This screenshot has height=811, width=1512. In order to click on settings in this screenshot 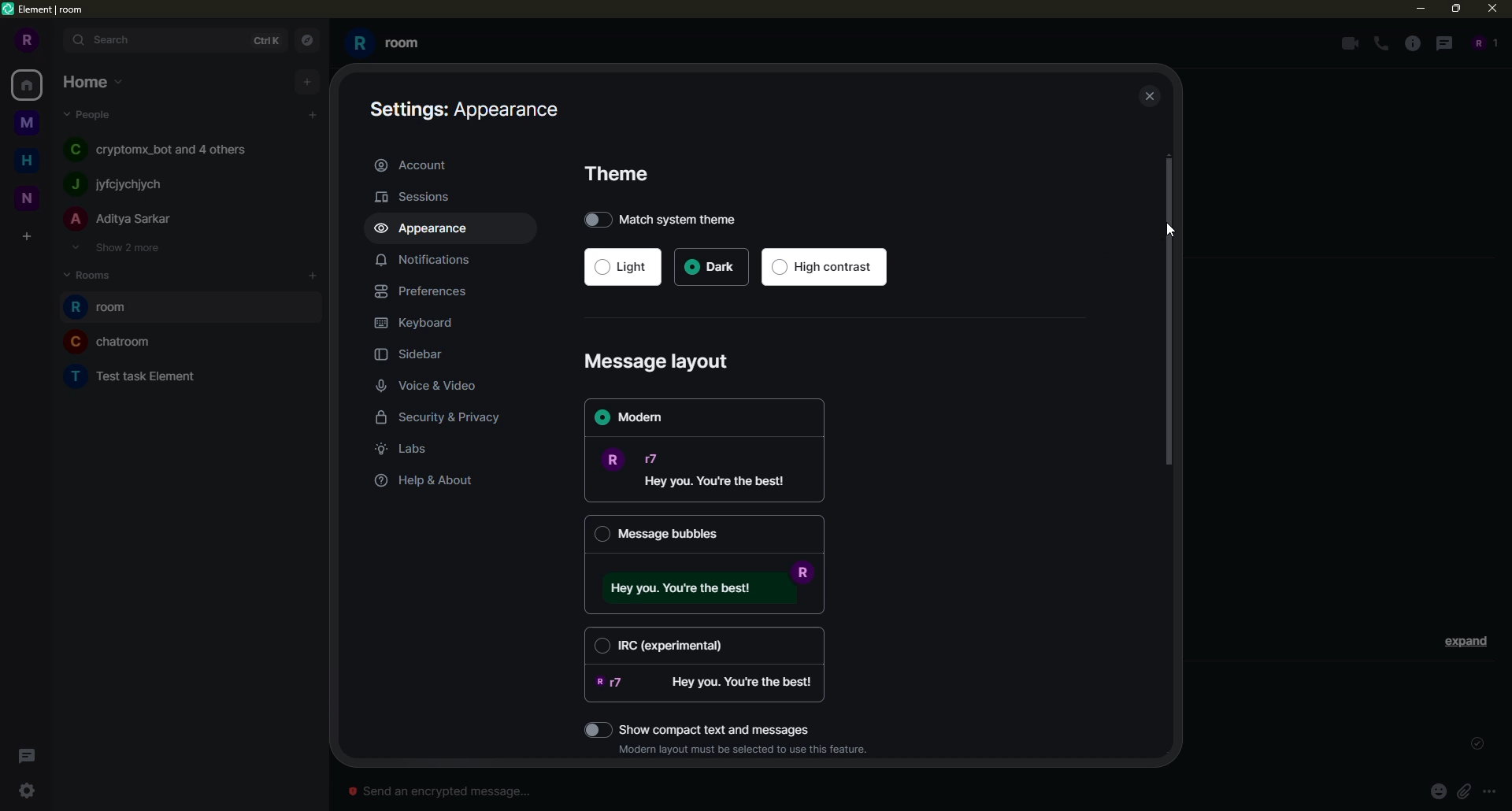, I will do `click(27, 791)`.